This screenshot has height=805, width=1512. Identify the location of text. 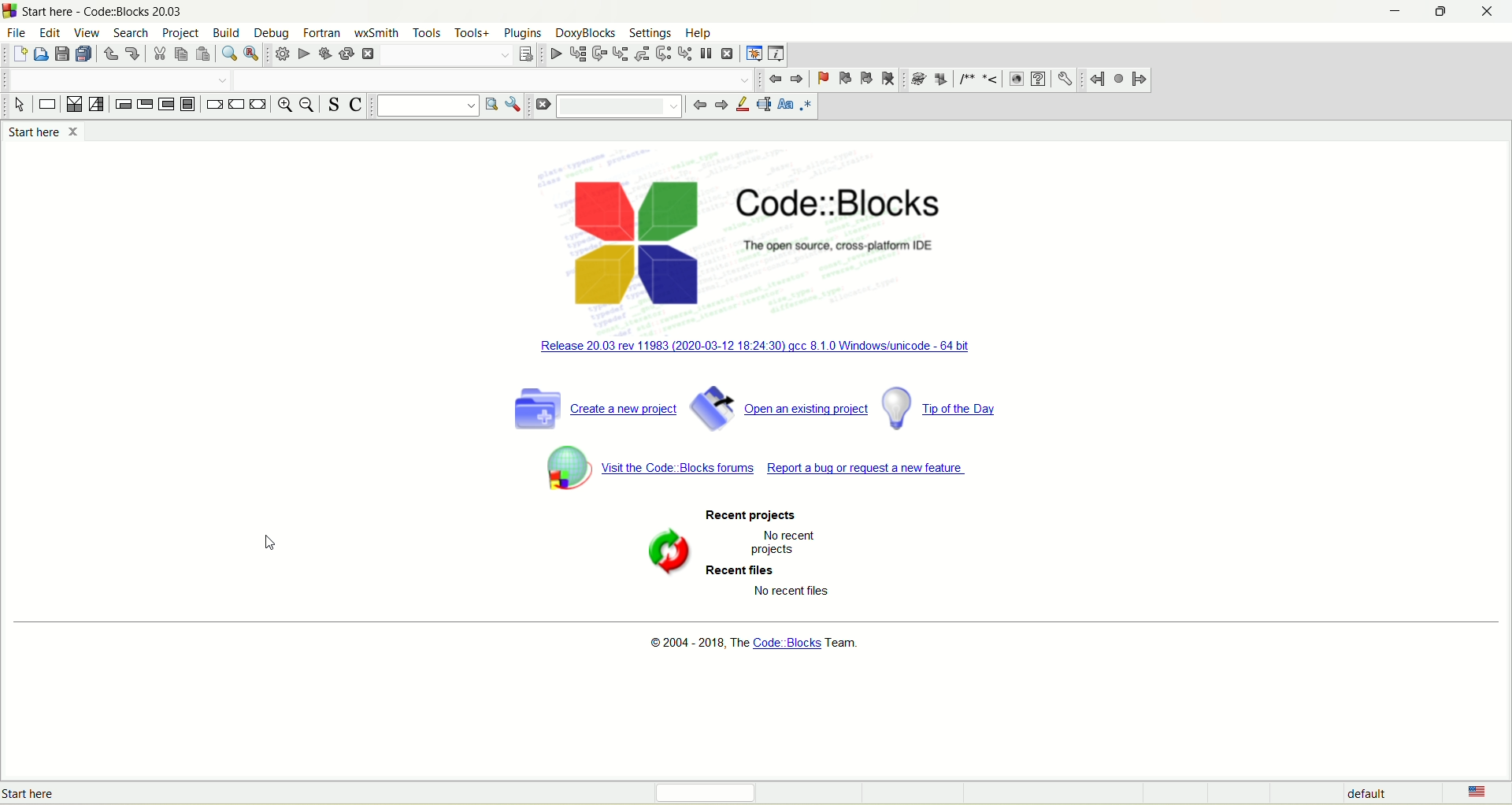
(802, 592).